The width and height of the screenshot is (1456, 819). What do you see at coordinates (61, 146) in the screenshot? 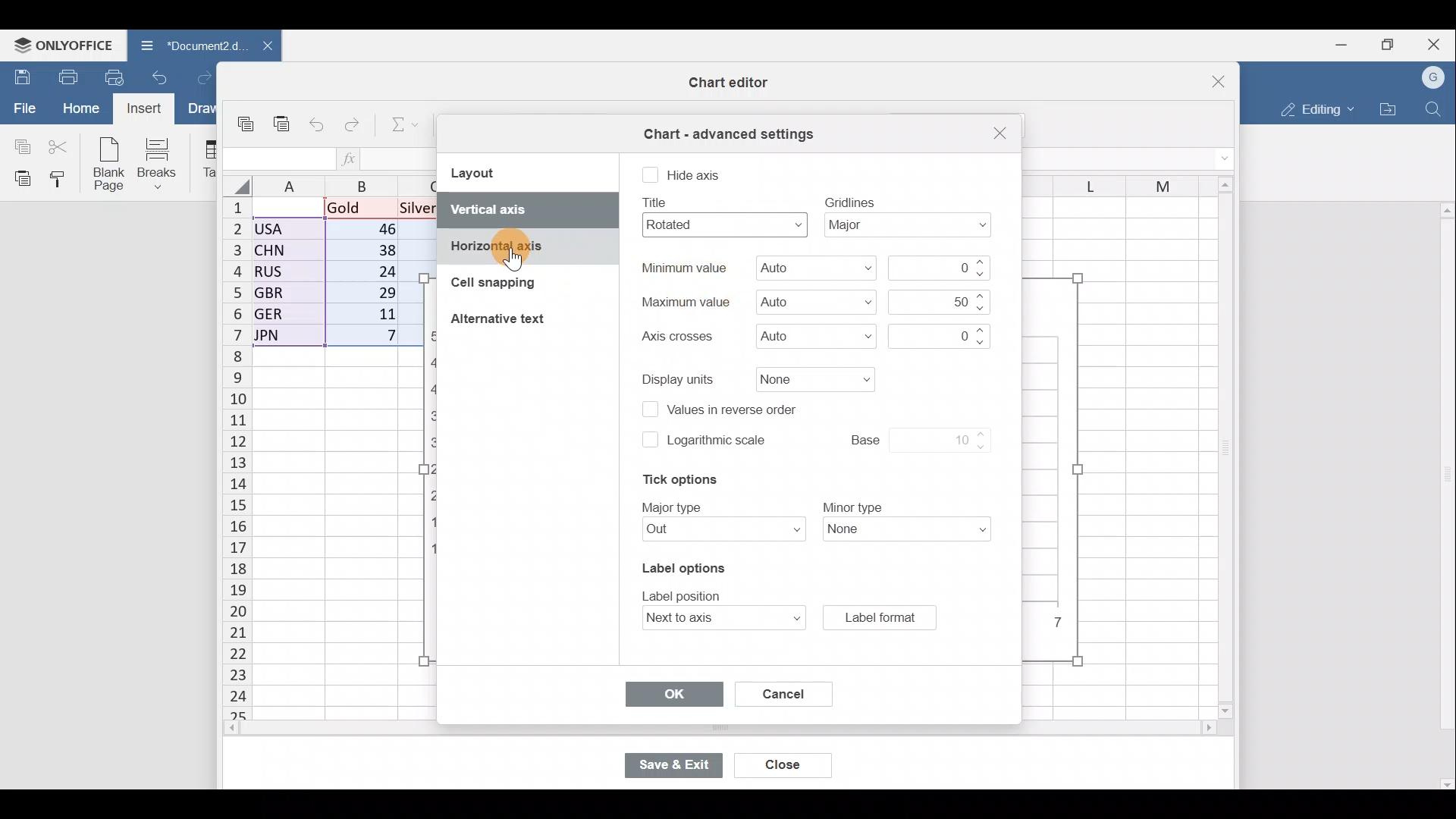
I see `Cut` at bounding box center [61, 146].